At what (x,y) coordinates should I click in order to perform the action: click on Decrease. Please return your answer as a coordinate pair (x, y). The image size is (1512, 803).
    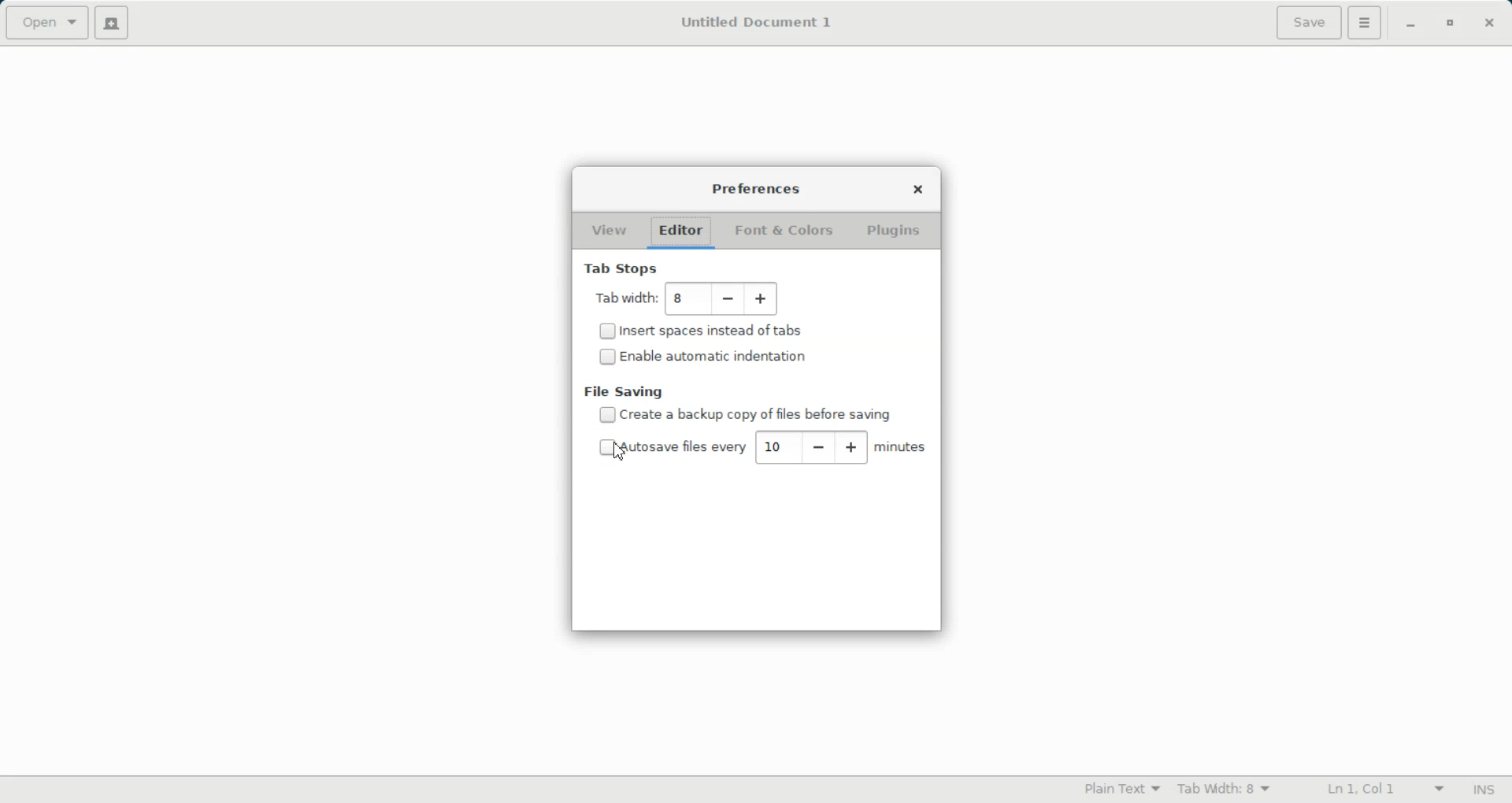
    Looking at the image, I should click on (728, 300).